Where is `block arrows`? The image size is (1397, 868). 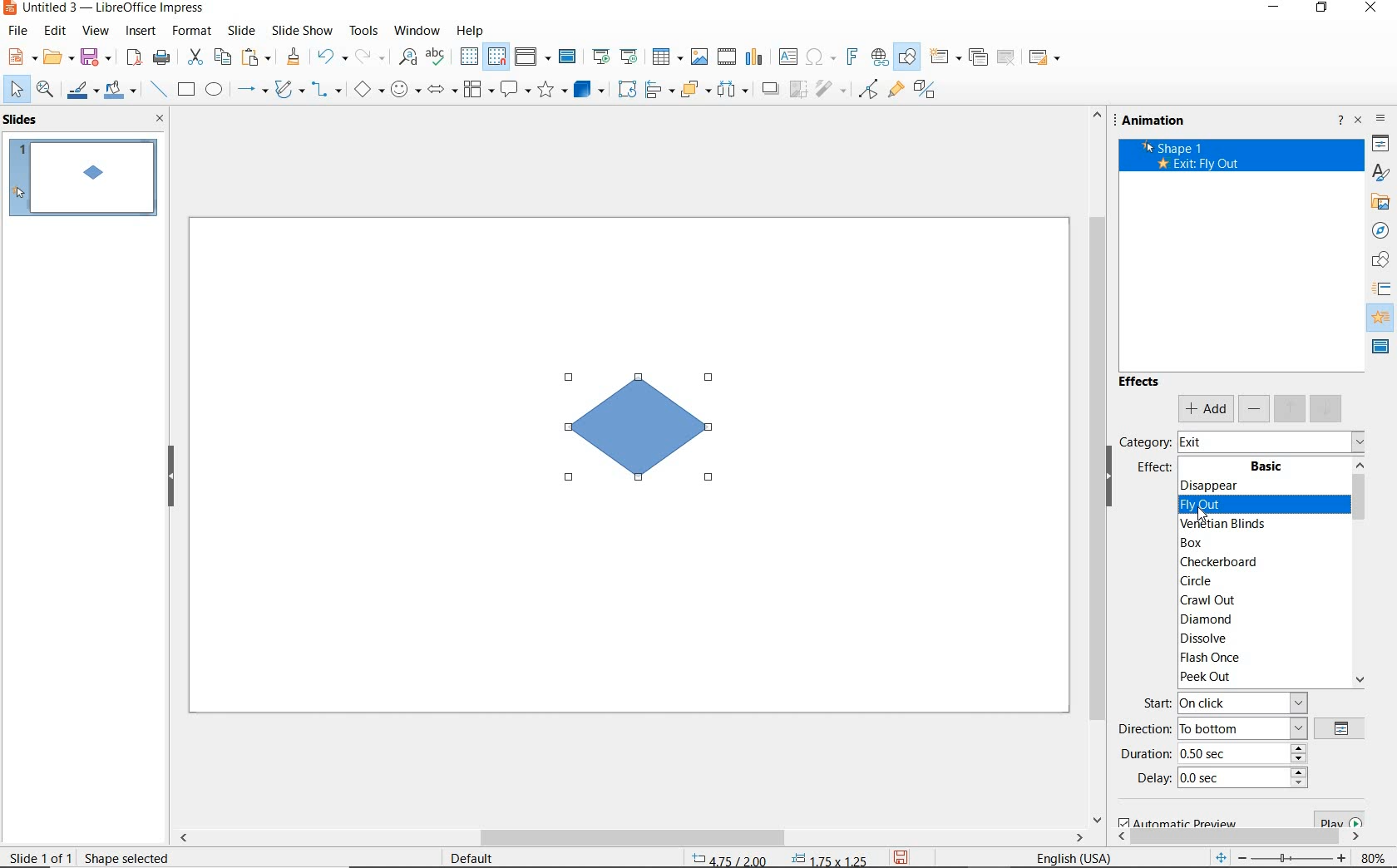 block arrows is located at coordinates (443, 91).